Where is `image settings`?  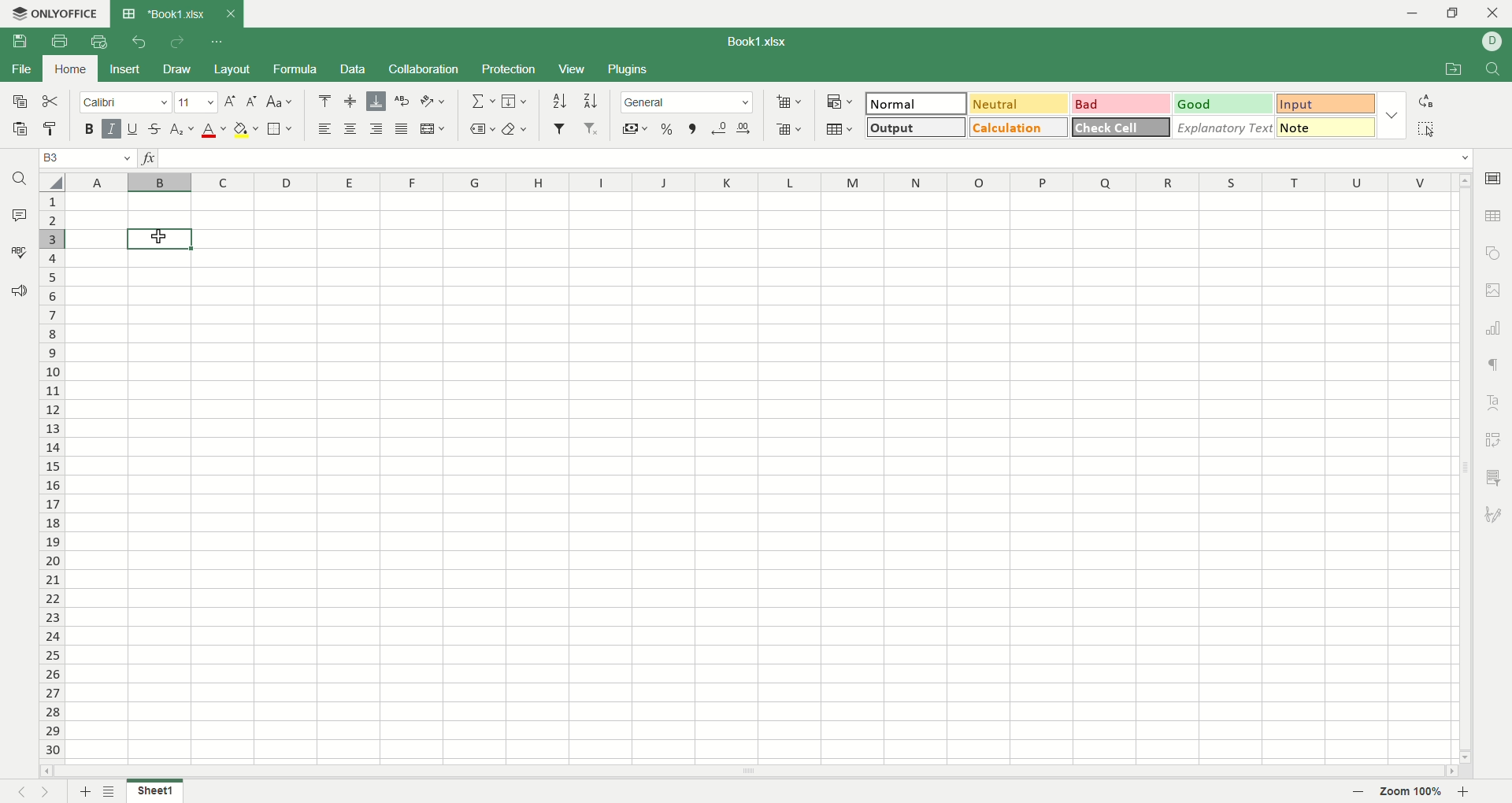 image settings is located at coordinates (1495, 290).